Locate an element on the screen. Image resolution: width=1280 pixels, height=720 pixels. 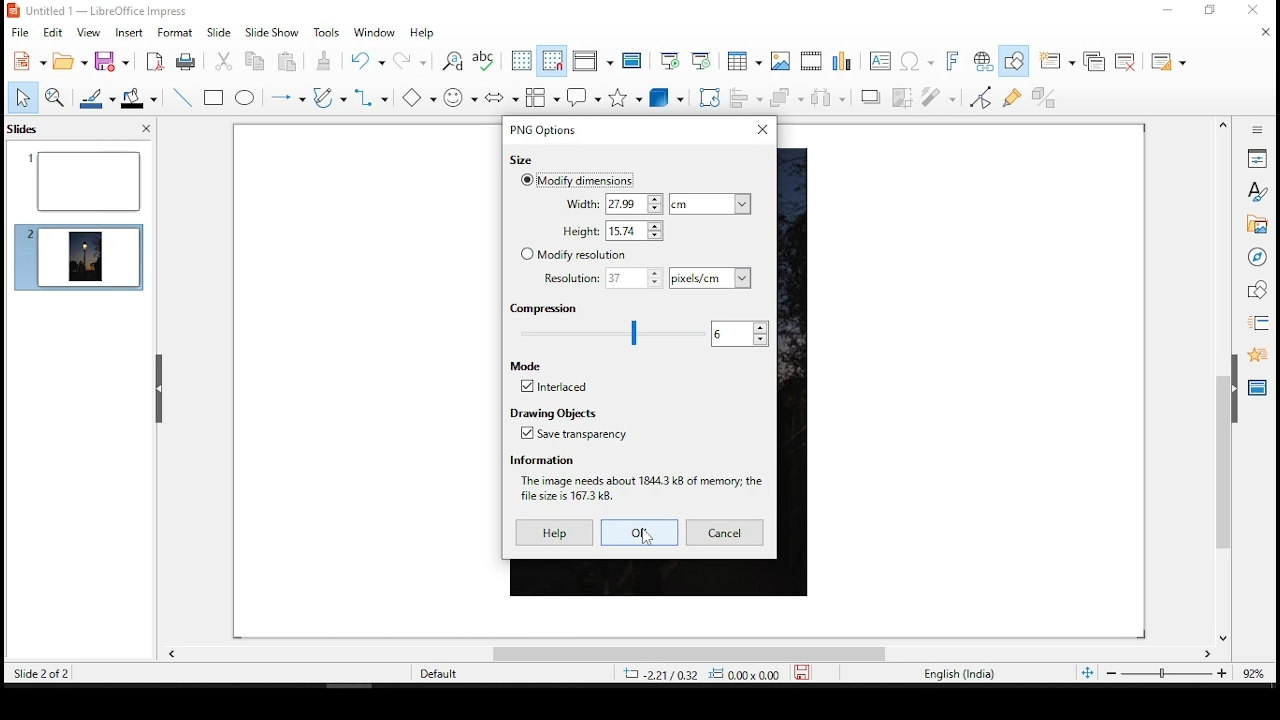
modify resolution is located at coordinates (572, 255).